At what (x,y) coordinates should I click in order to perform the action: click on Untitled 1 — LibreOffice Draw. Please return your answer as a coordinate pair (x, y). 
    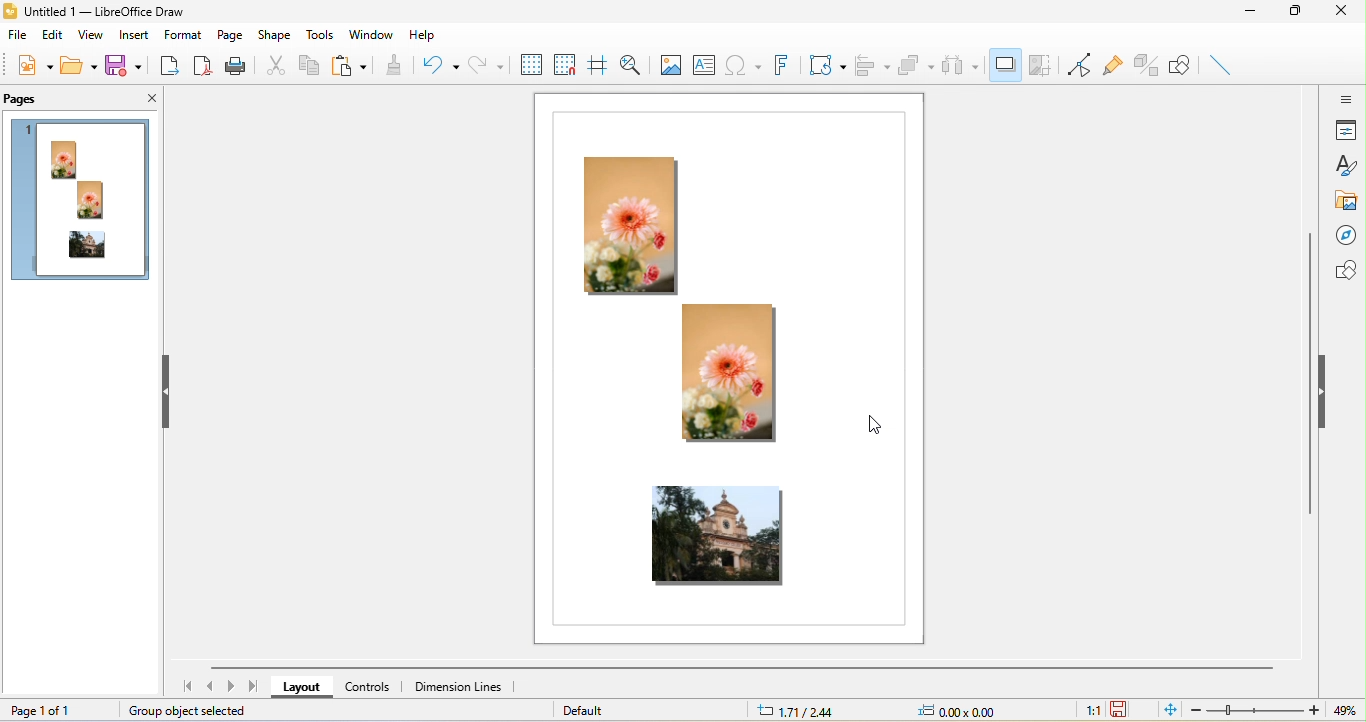
    Looking at the image, I should click on (94, 12).